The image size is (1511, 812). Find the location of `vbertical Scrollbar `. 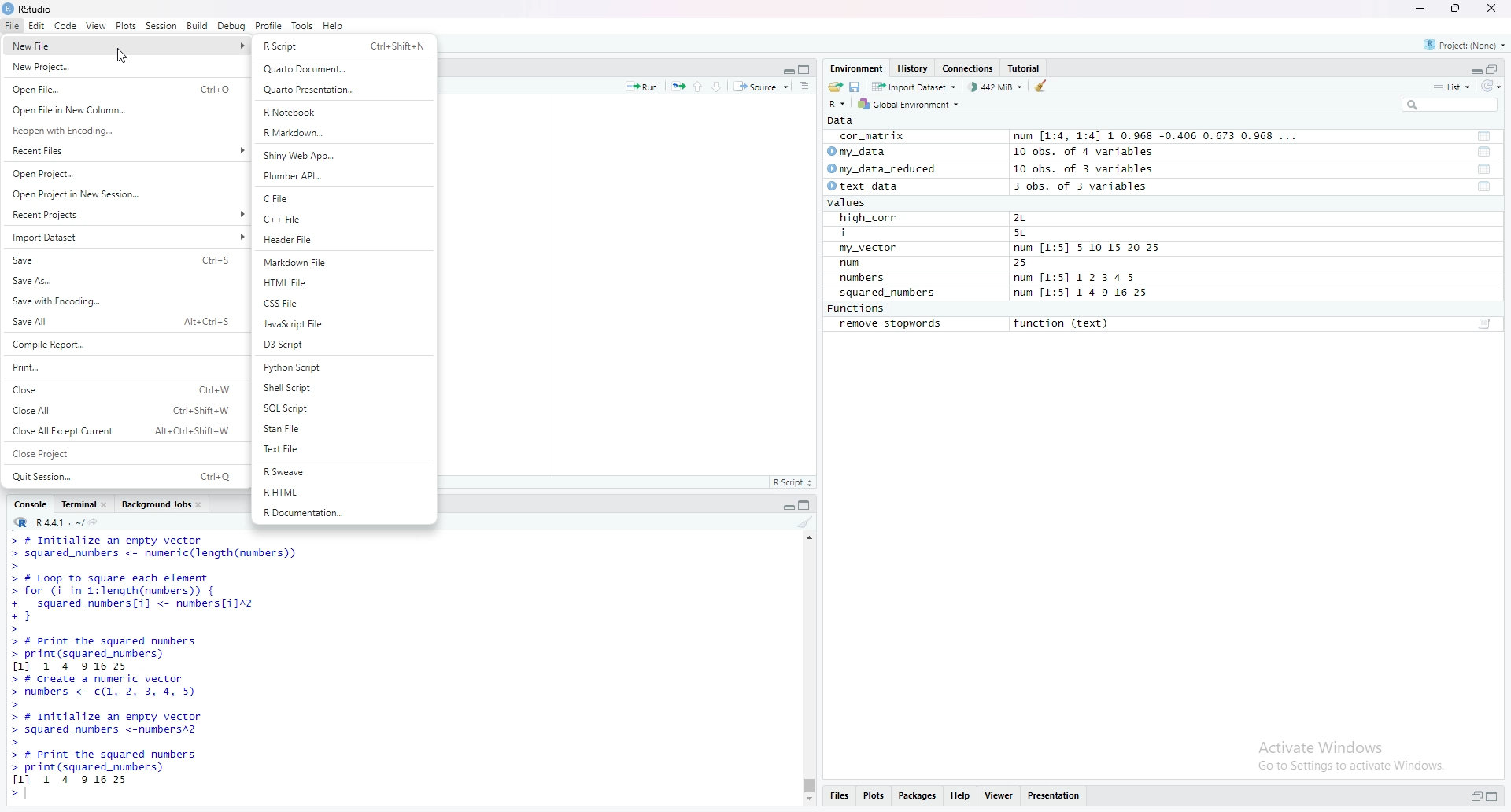

vbertical Scrollbar  is located at coordinates (806, 783).